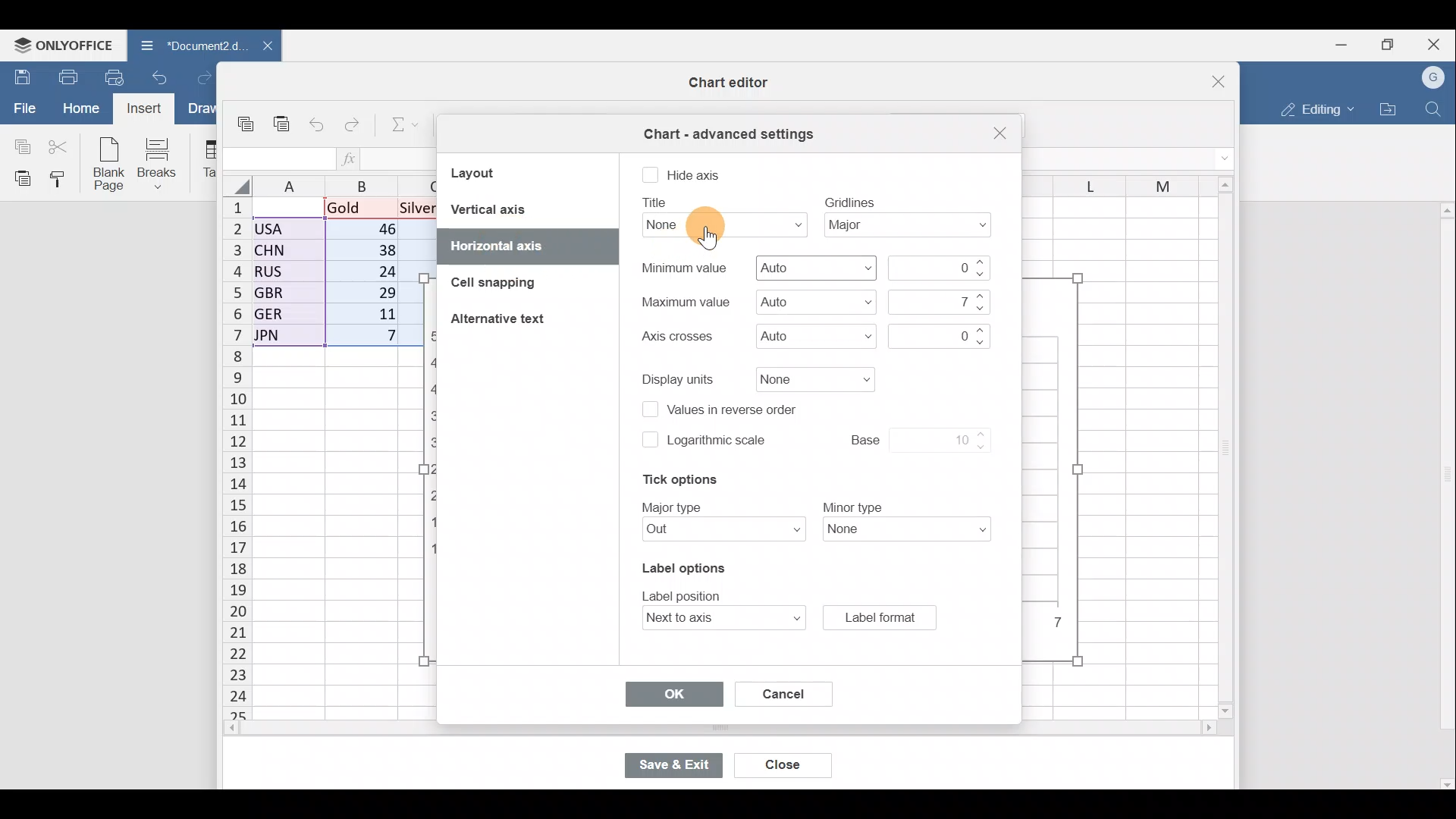  What do you see at coordinates (1388, 108) in the screenshot?
I see `Open file location` at bounding box center [1388, 108].